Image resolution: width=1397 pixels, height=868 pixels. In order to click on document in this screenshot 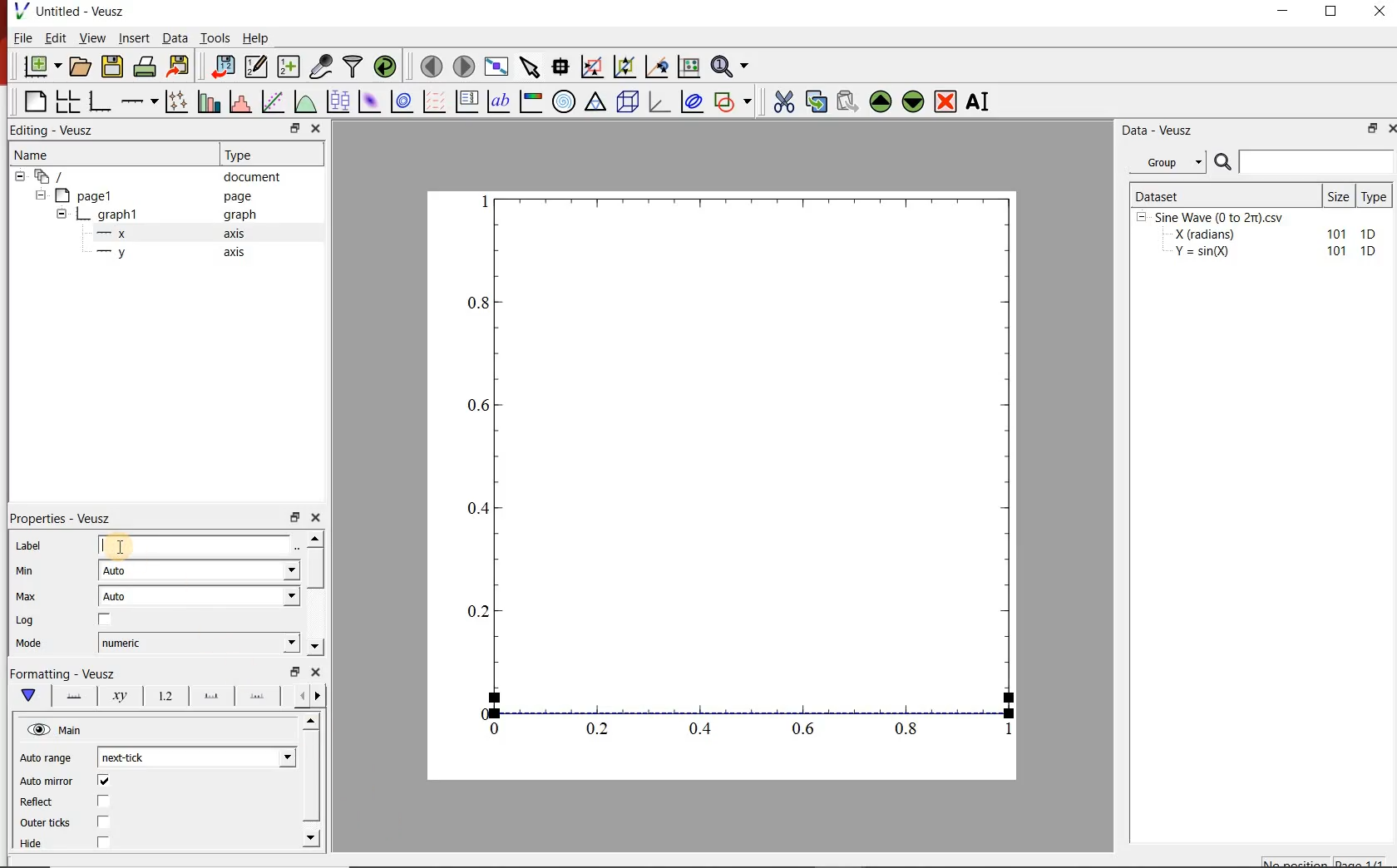, I will do `click(253, 177)`.